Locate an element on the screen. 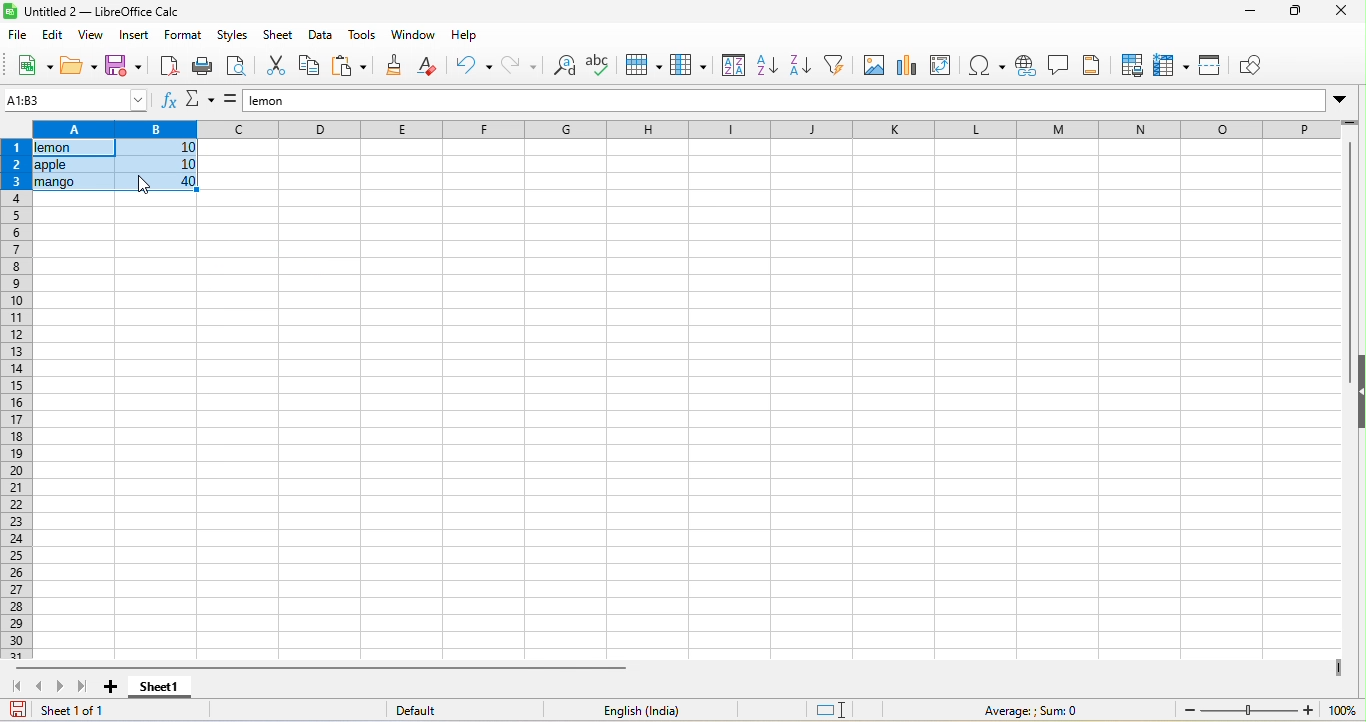 Image resolution: width=1366 pixels, height=722 pixels. format is located at coordinates (187, 37).